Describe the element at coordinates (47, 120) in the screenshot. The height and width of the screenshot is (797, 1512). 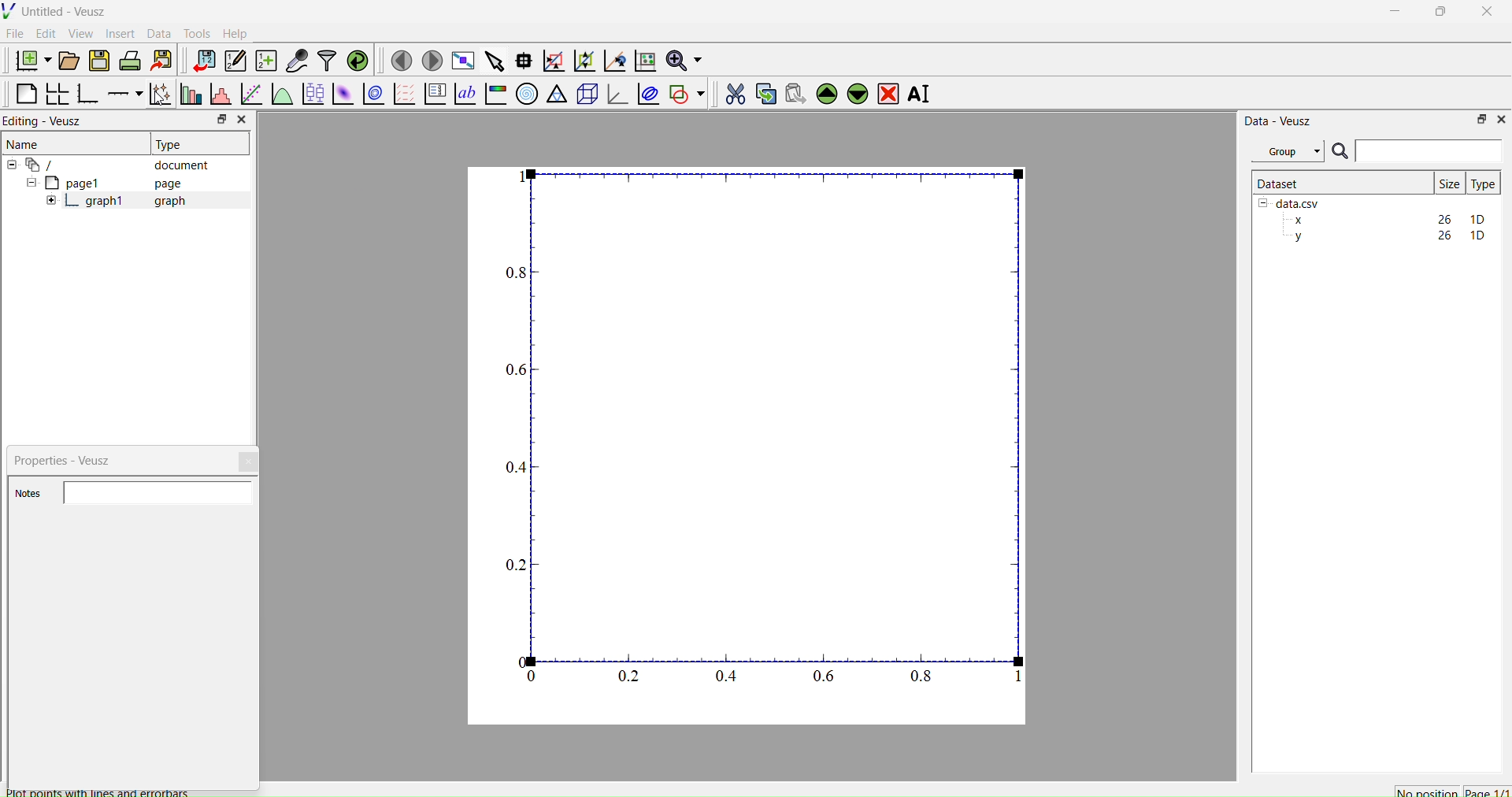
I see `Editing - Veusz` at that location.